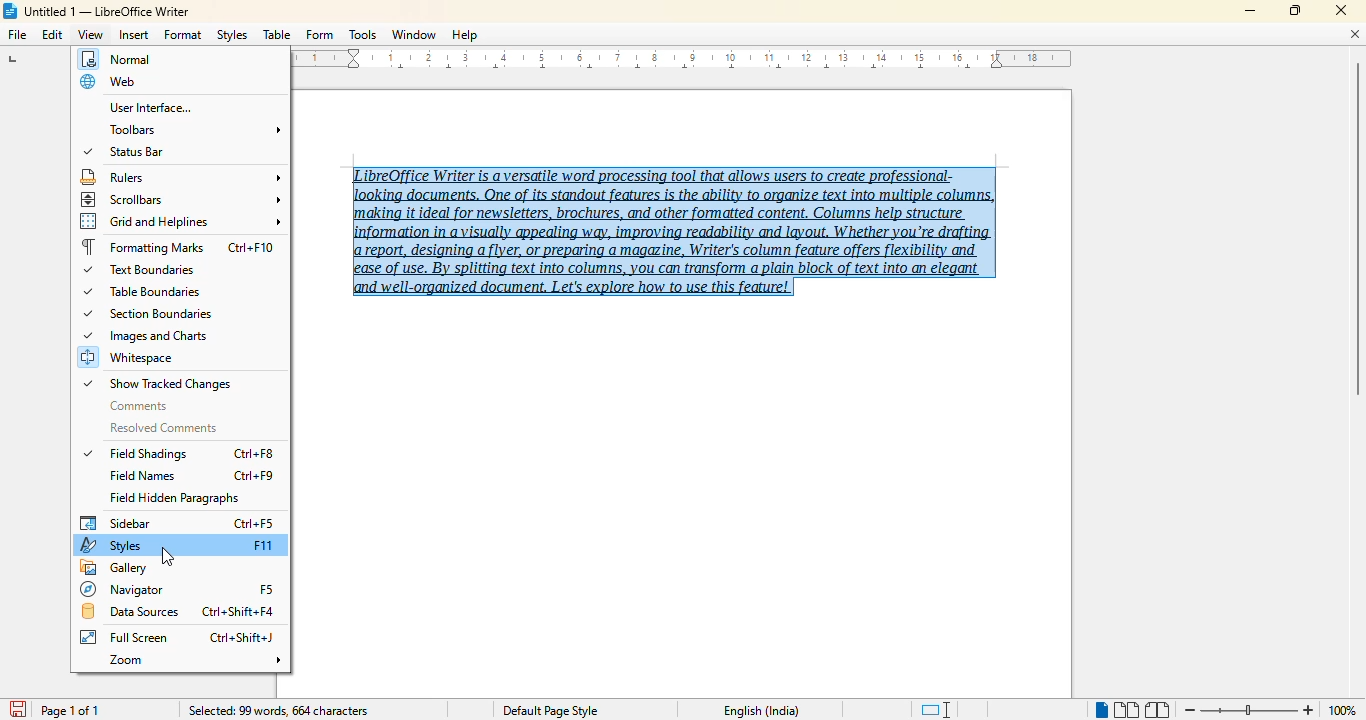 The width and height of the screenshot is (1366, 720). What do you see at coordinates (177, 246) in the screenshot?
I see `formatting marks` at bounding box center [177, 246].